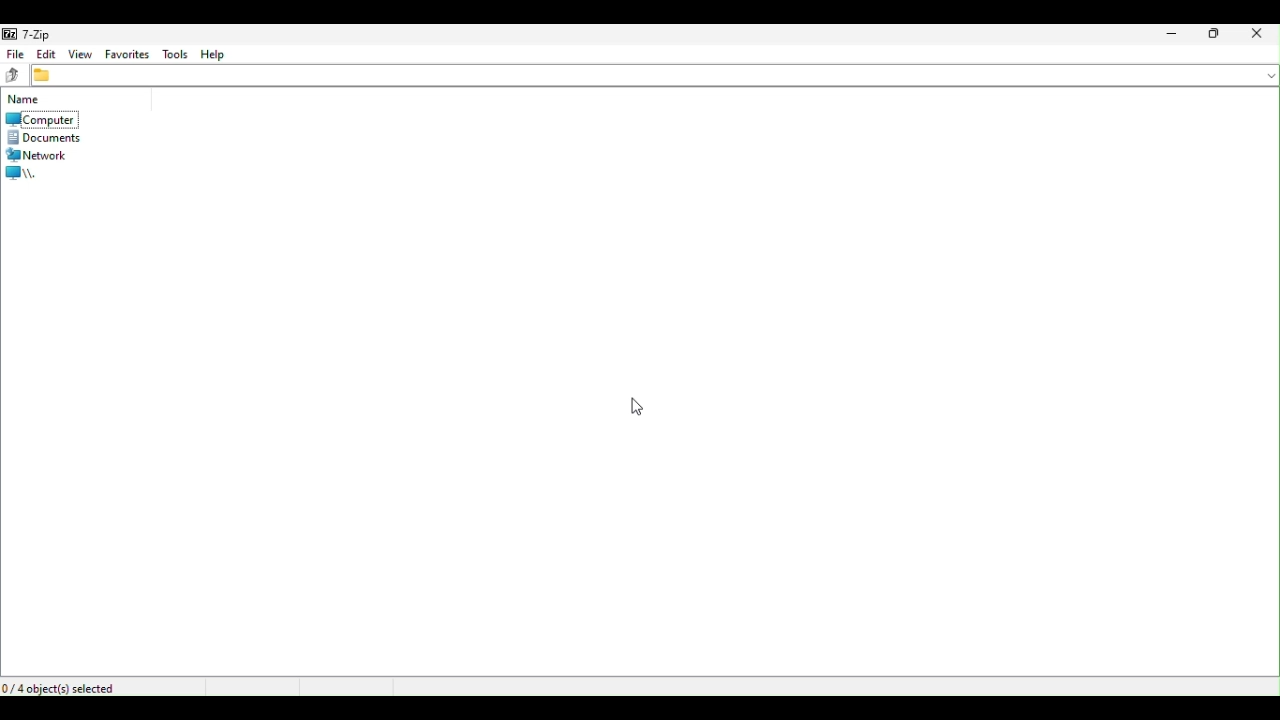  What do you see at coordinates (40, 155) in the screenshot?
I see `Network` at bounding box center [40, 155].